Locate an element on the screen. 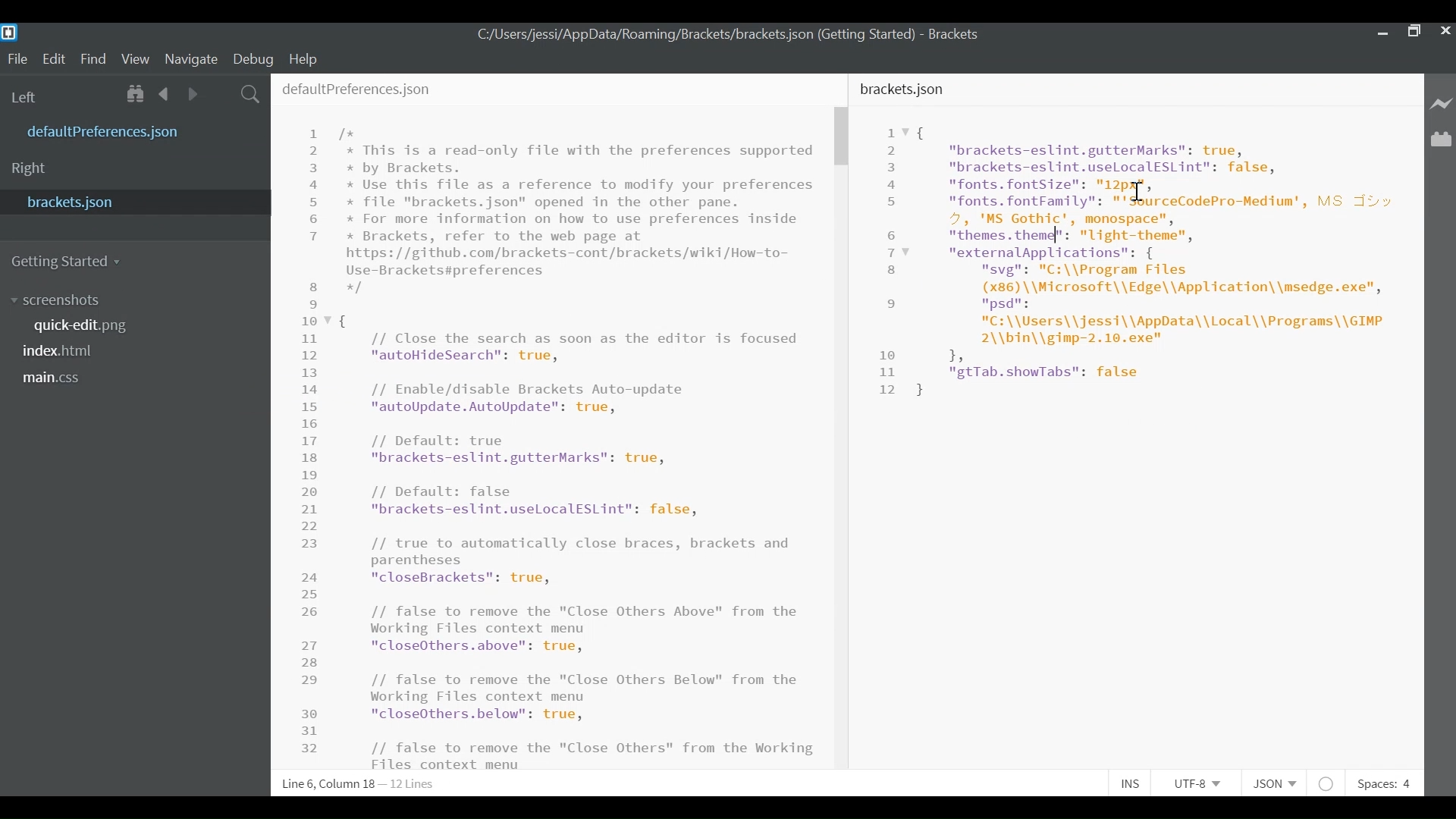  quickedit.png is located at coordinates (93, 325).